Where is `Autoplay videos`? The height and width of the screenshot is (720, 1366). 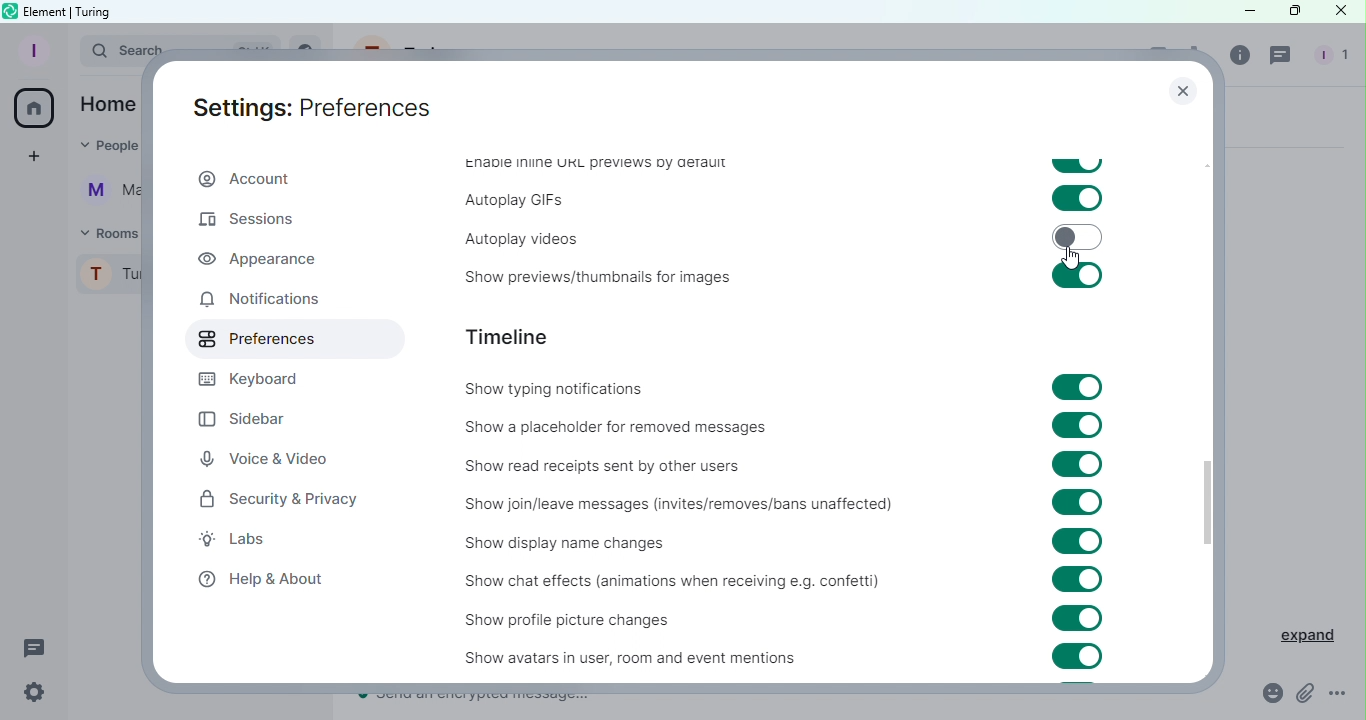 Autoplay videos is located at coordinates (511, 235).